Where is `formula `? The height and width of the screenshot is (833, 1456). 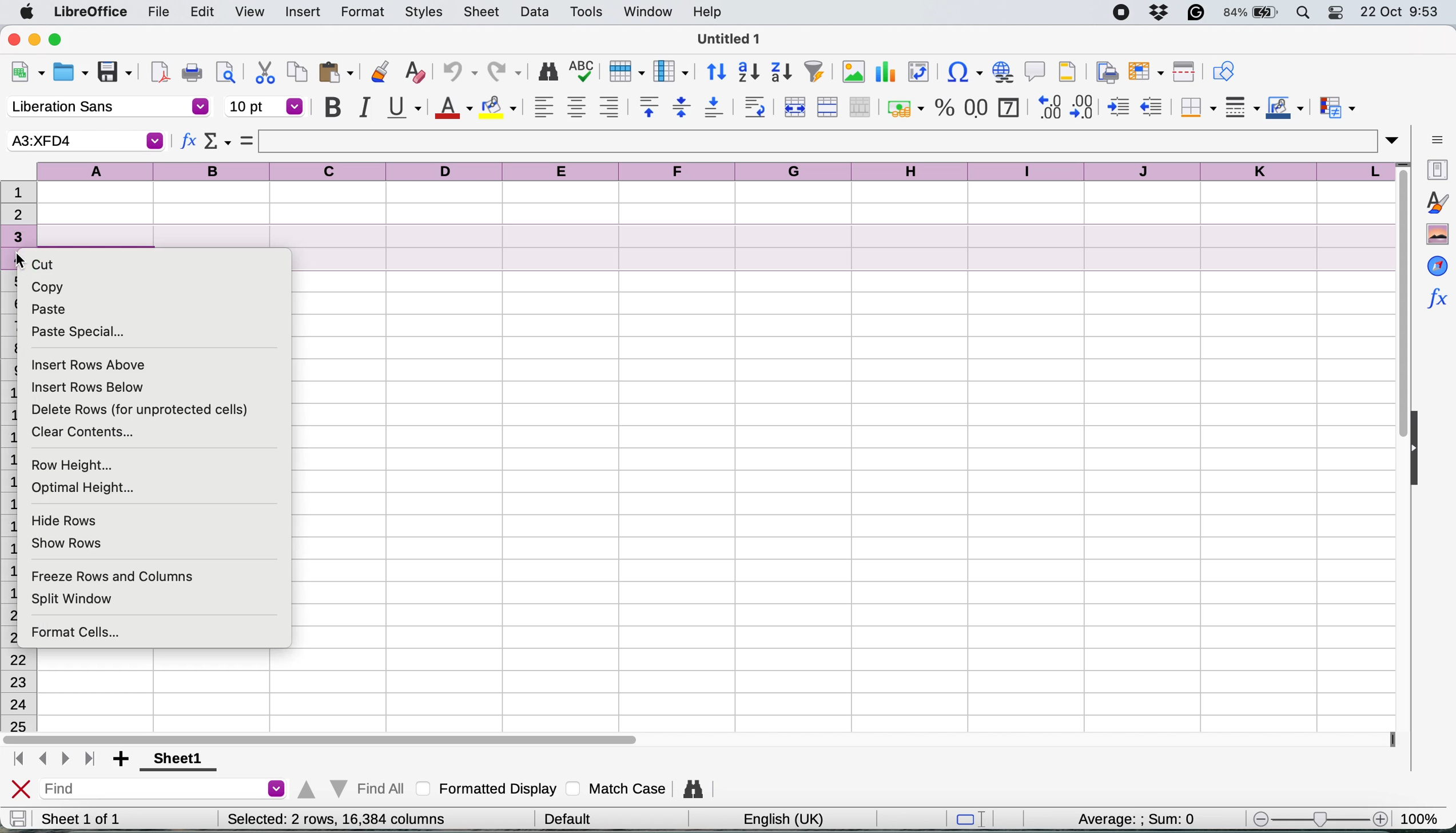
formula  is located at coordinates (247, 140).